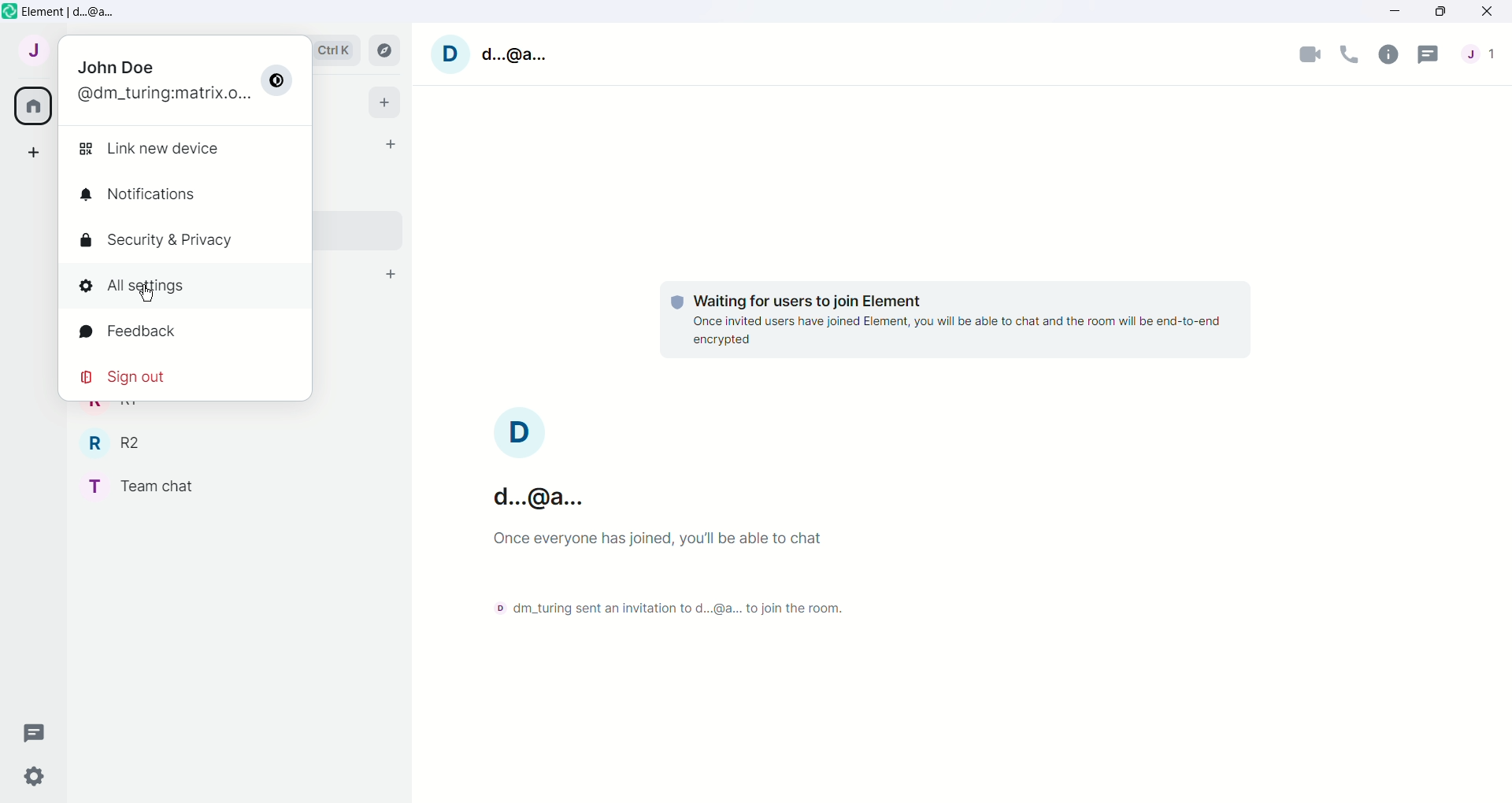 Image resolution: width=1512 pixels, height=803 pixels. Describe the element at coordinates (1489, 11) in the screenshot. I see `Close` at that location.